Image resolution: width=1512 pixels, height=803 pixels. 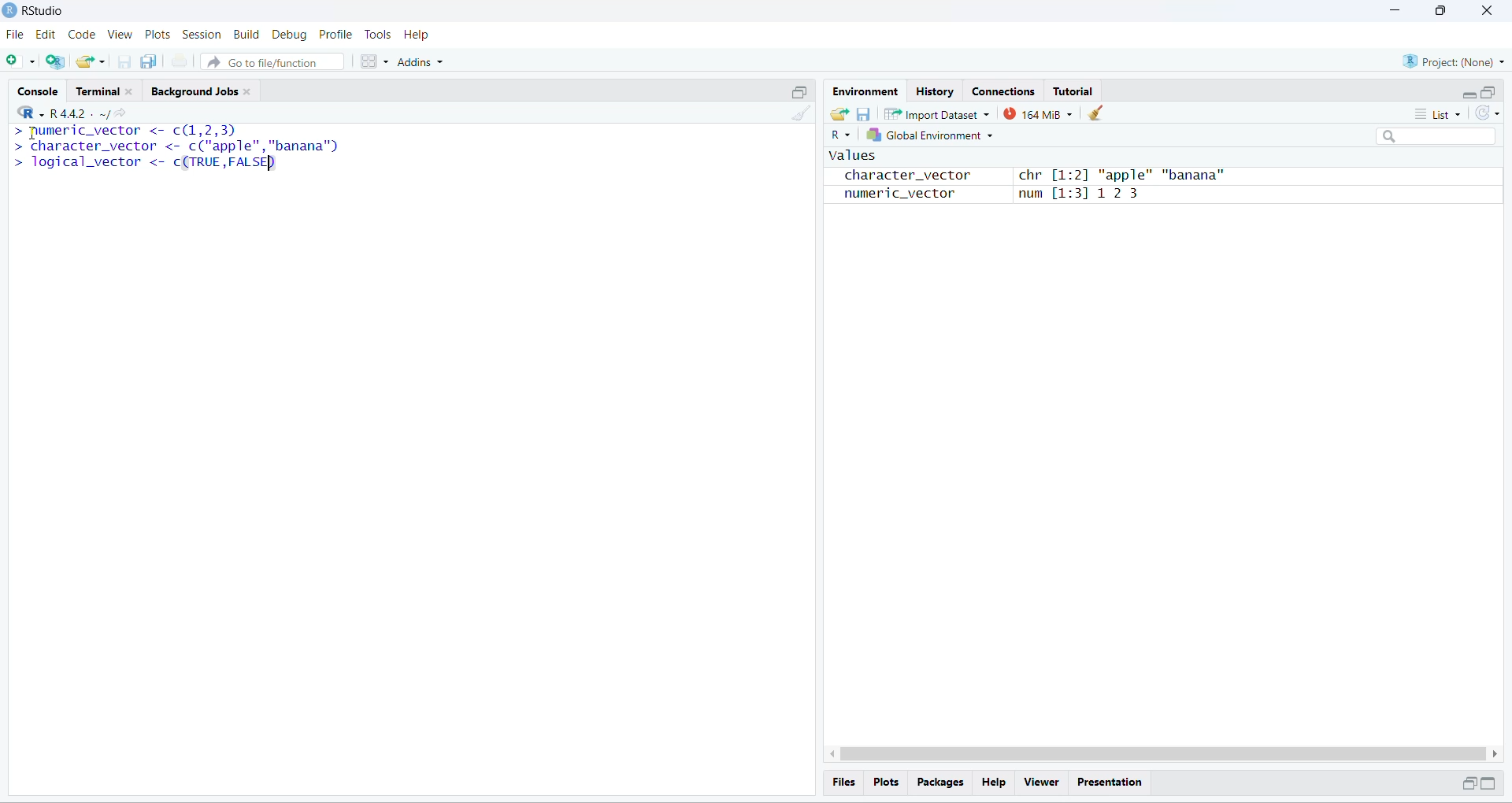 What do you see at coordinates (290, 35) in the screenshot?
I see `Debug` at bounding box center [290, 35].